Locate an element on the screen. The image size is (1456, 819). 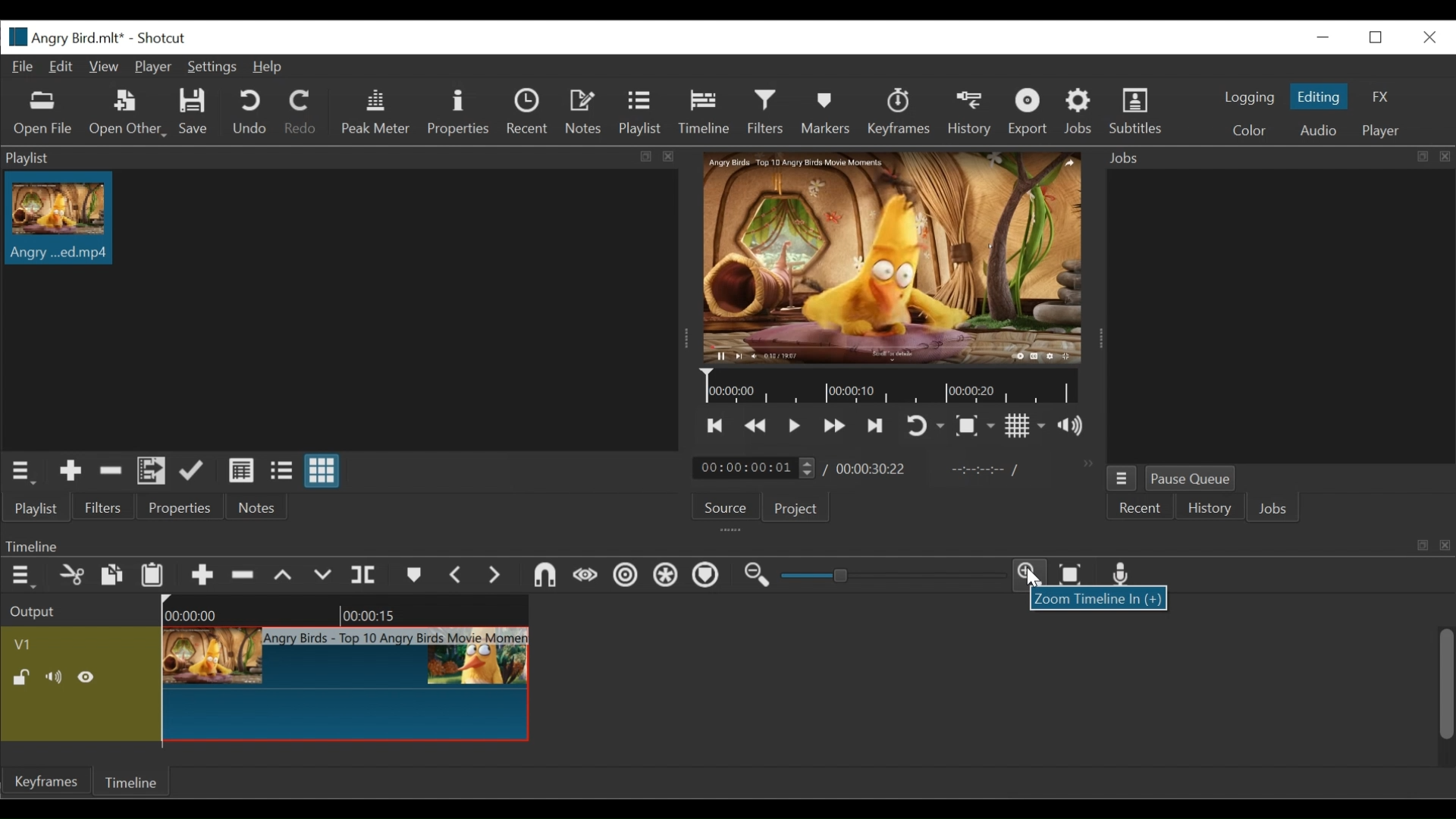
(un)lock track is located at coordinates (24, 678).